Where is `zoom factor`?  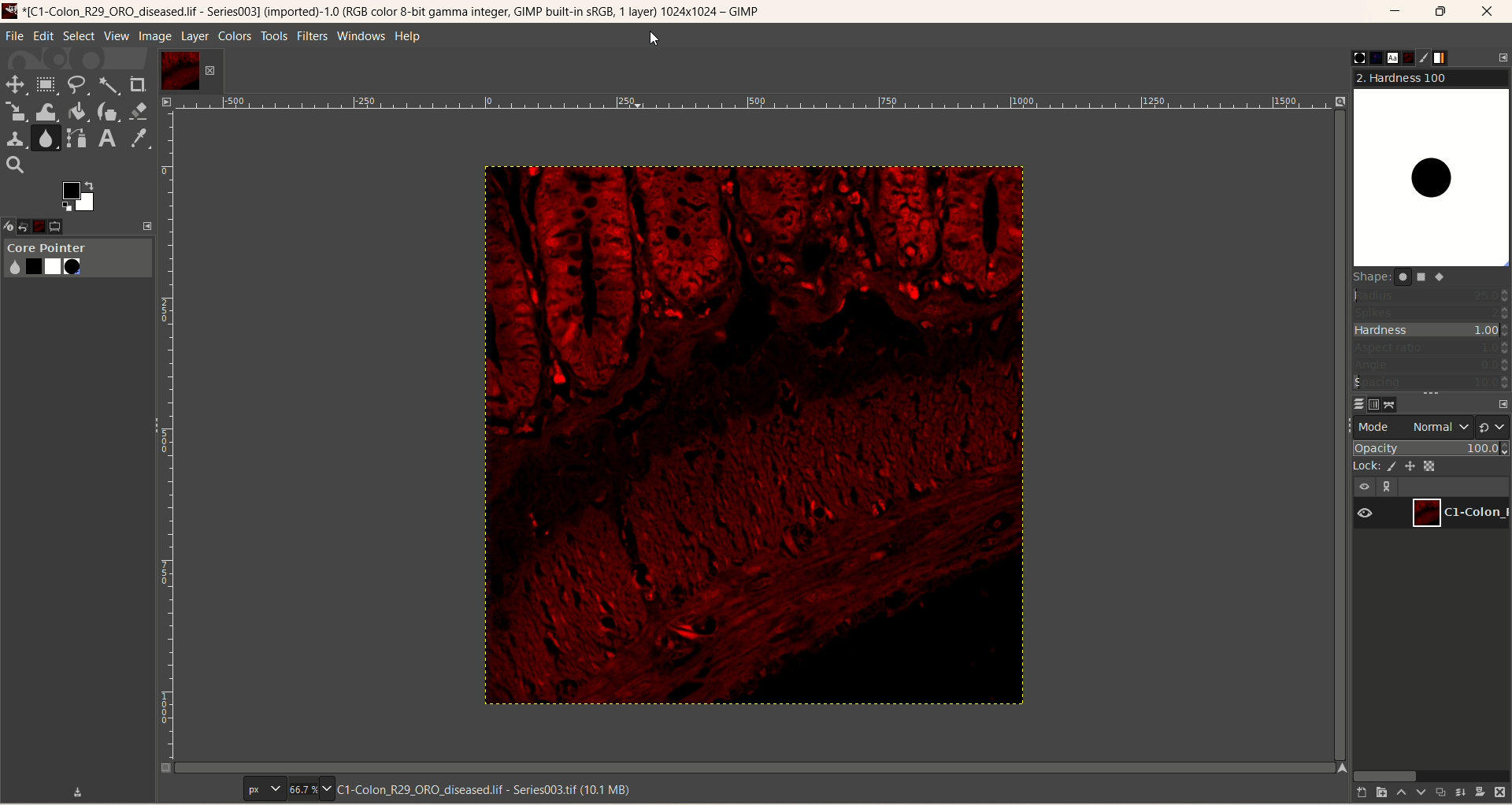
zoom factor is located at coordinates (309, 789).